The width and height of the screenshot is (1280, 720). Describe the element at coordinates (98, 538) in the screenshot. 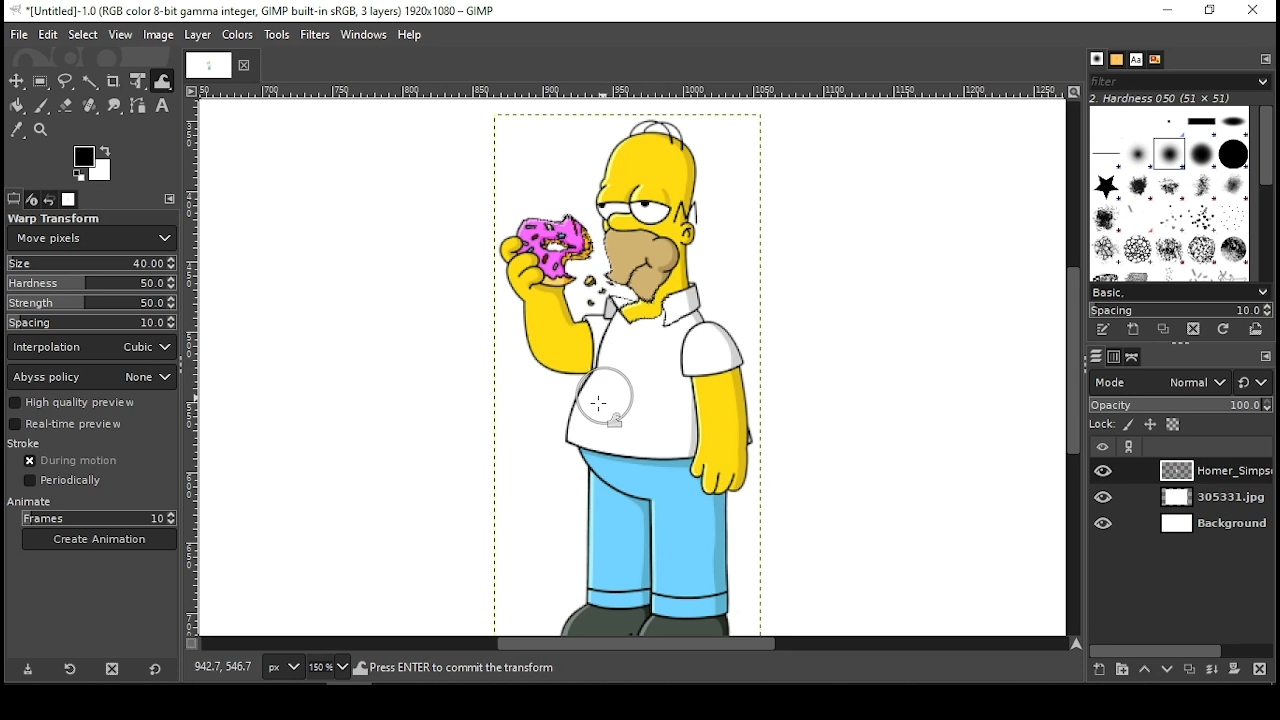

I see `create animation` at that location.